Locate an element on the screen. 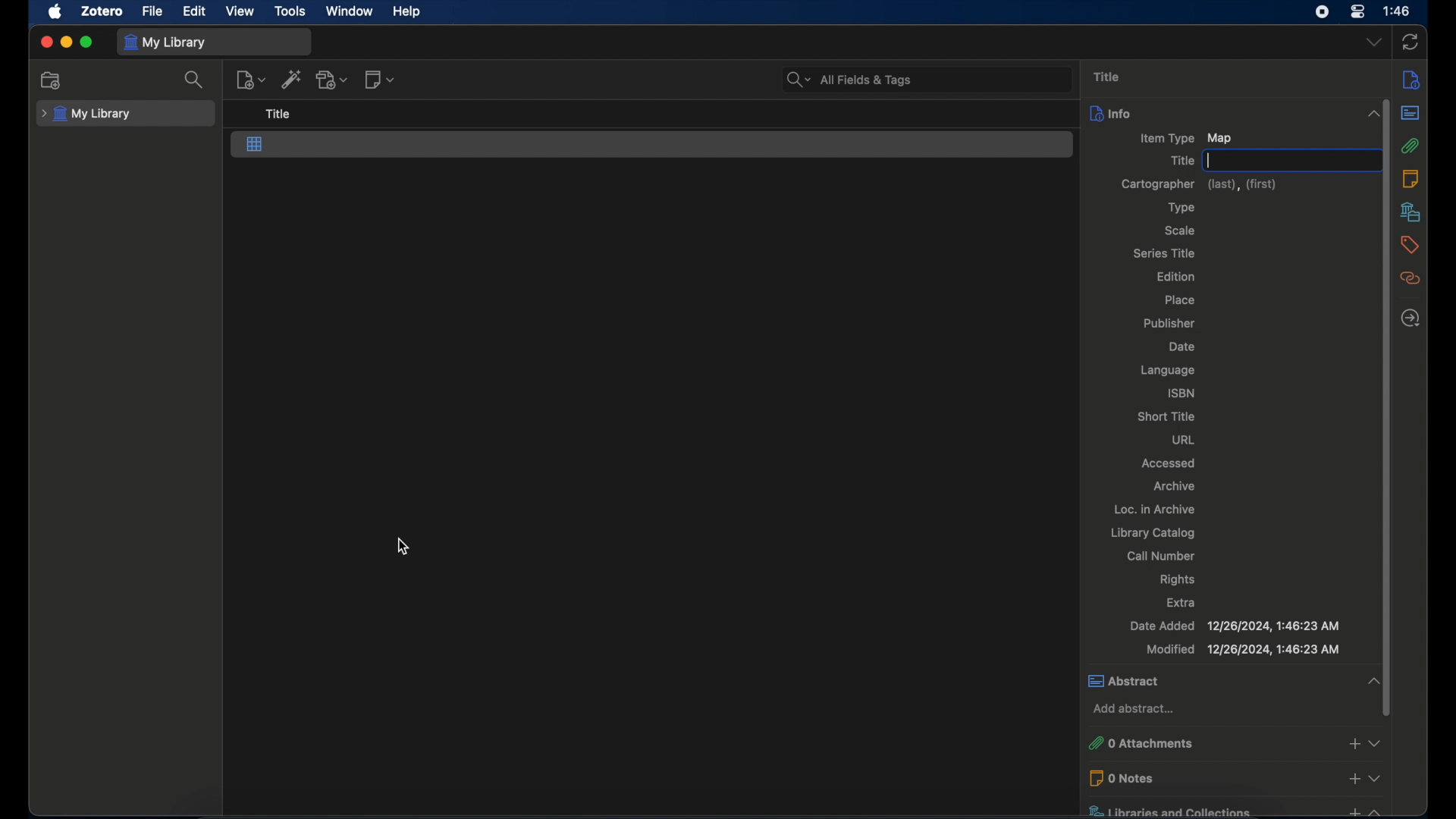 The image size is (1456, 819). rights is located at coordinates (1178, 579).